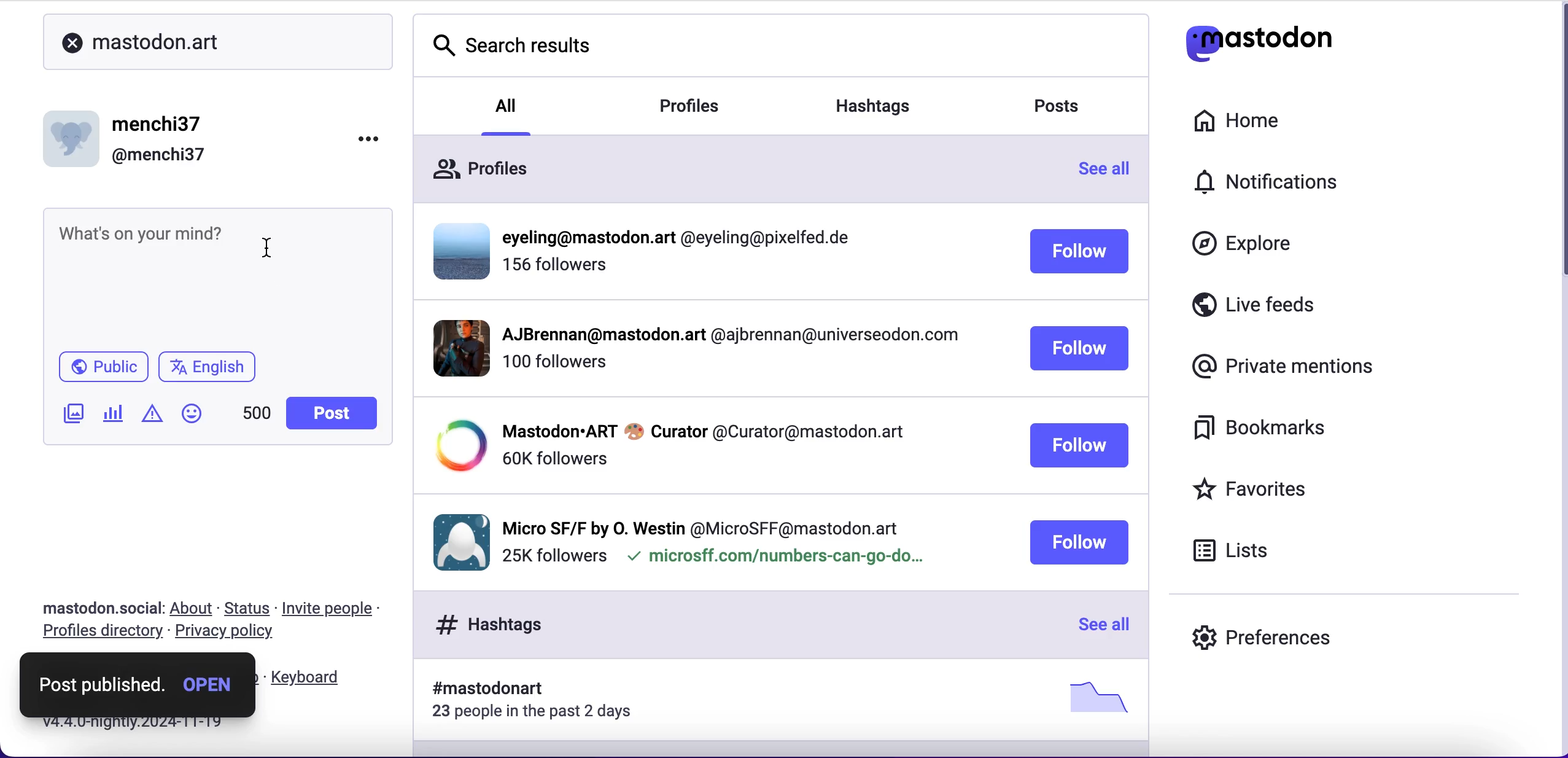 The image size is (1568, 758). I want to click on profile, so click(728, 338).